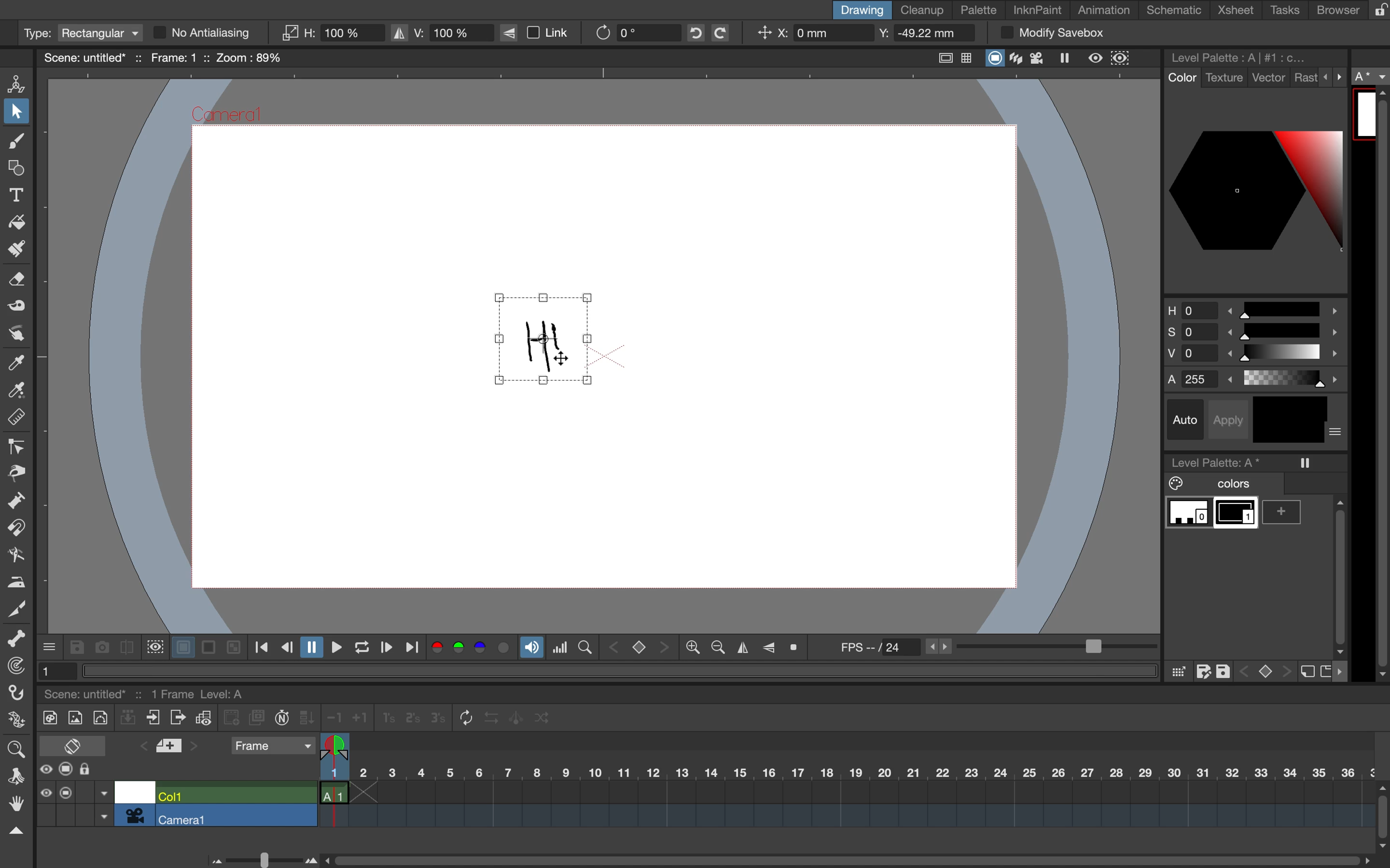  Describe the element at coordinates (228, 116) in the screenshot. I see `Camera1` at that location.